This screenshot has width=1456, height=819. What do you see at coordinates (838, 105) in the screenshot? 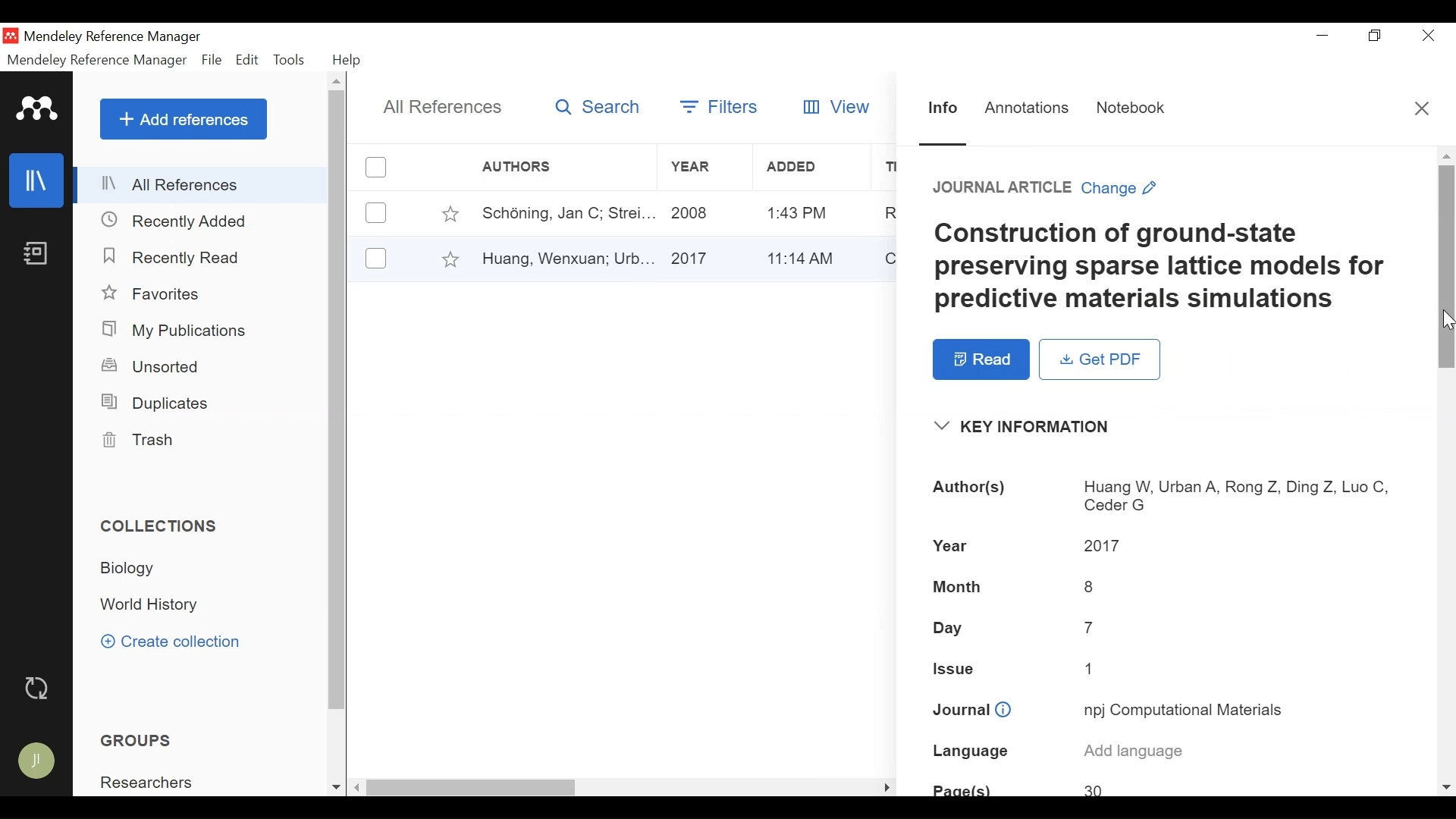
I see `View` at bounding box center [838, 105].